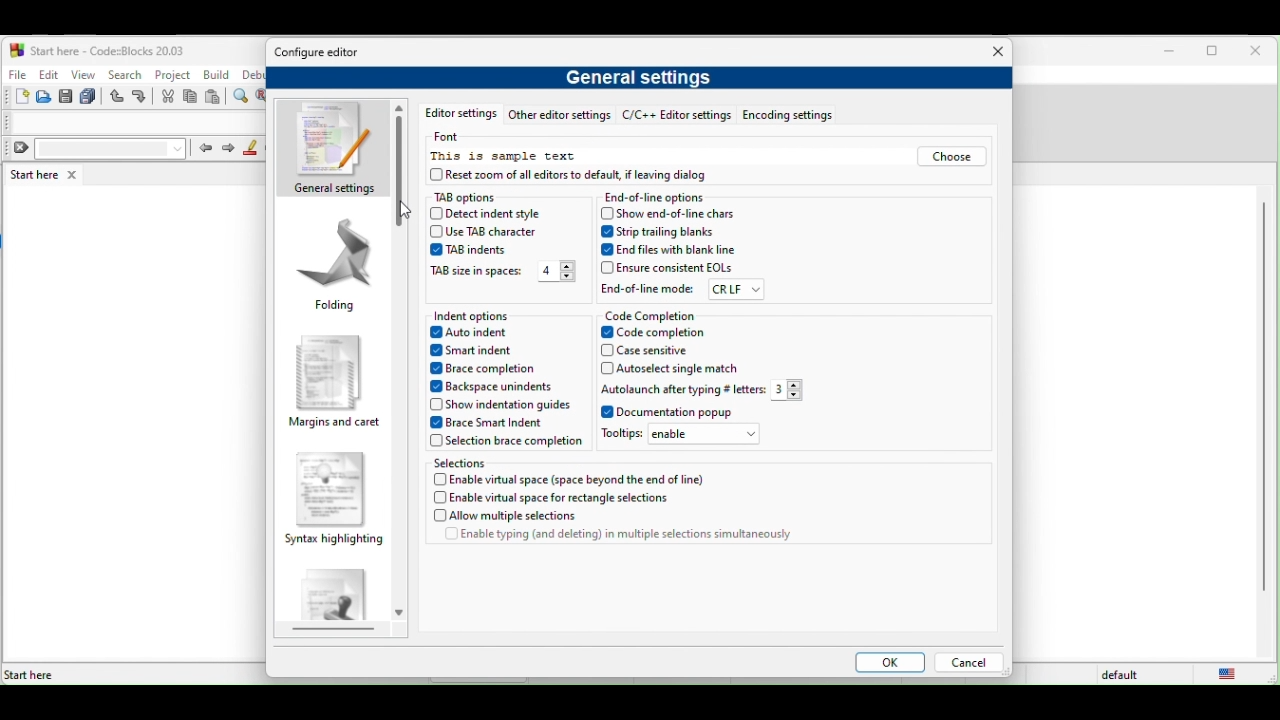 The width and height of the screenshot is (1280, 720). I want to click on cursor movement, so click(404, 210).